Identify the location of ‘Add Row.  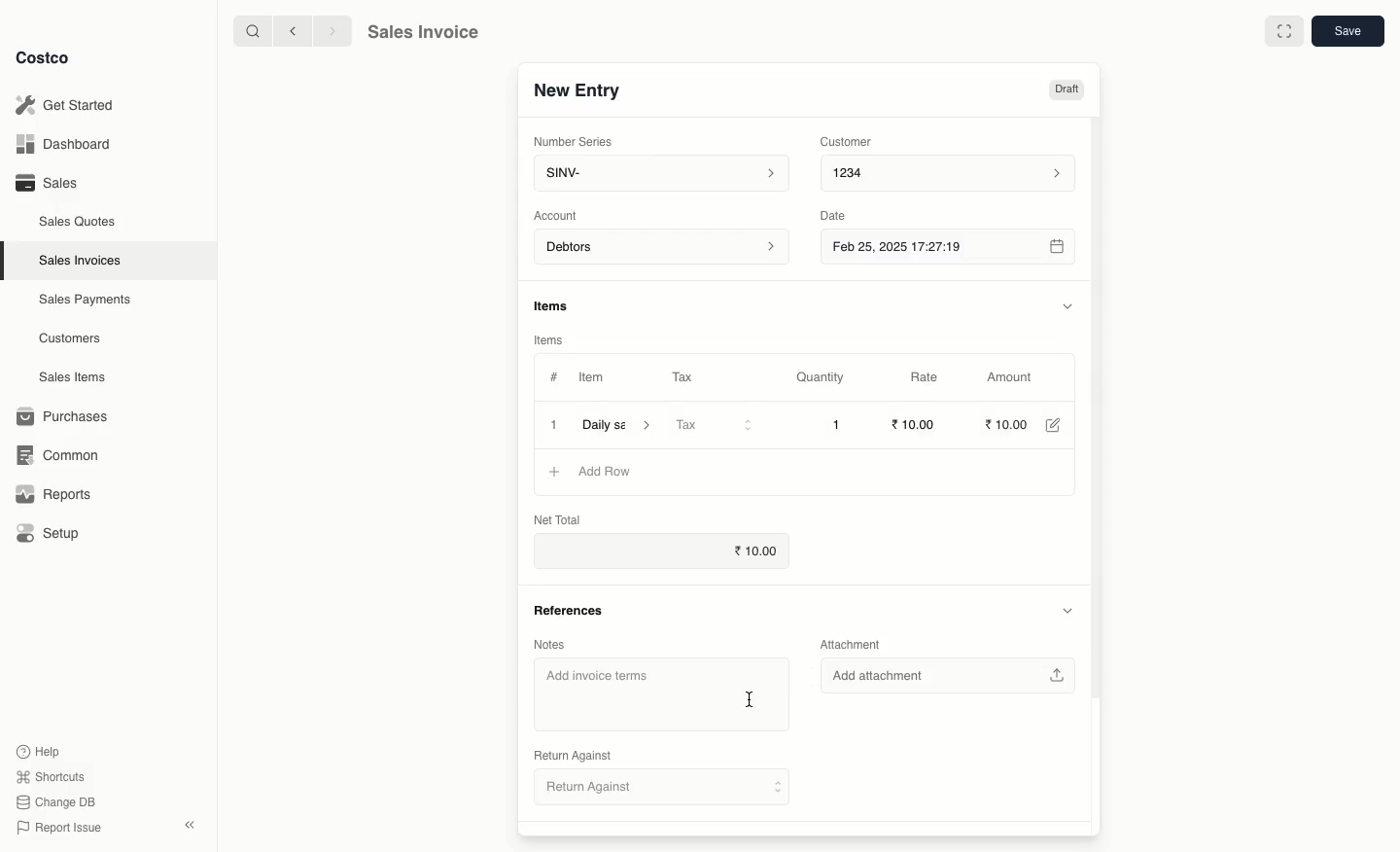
(610, 472).